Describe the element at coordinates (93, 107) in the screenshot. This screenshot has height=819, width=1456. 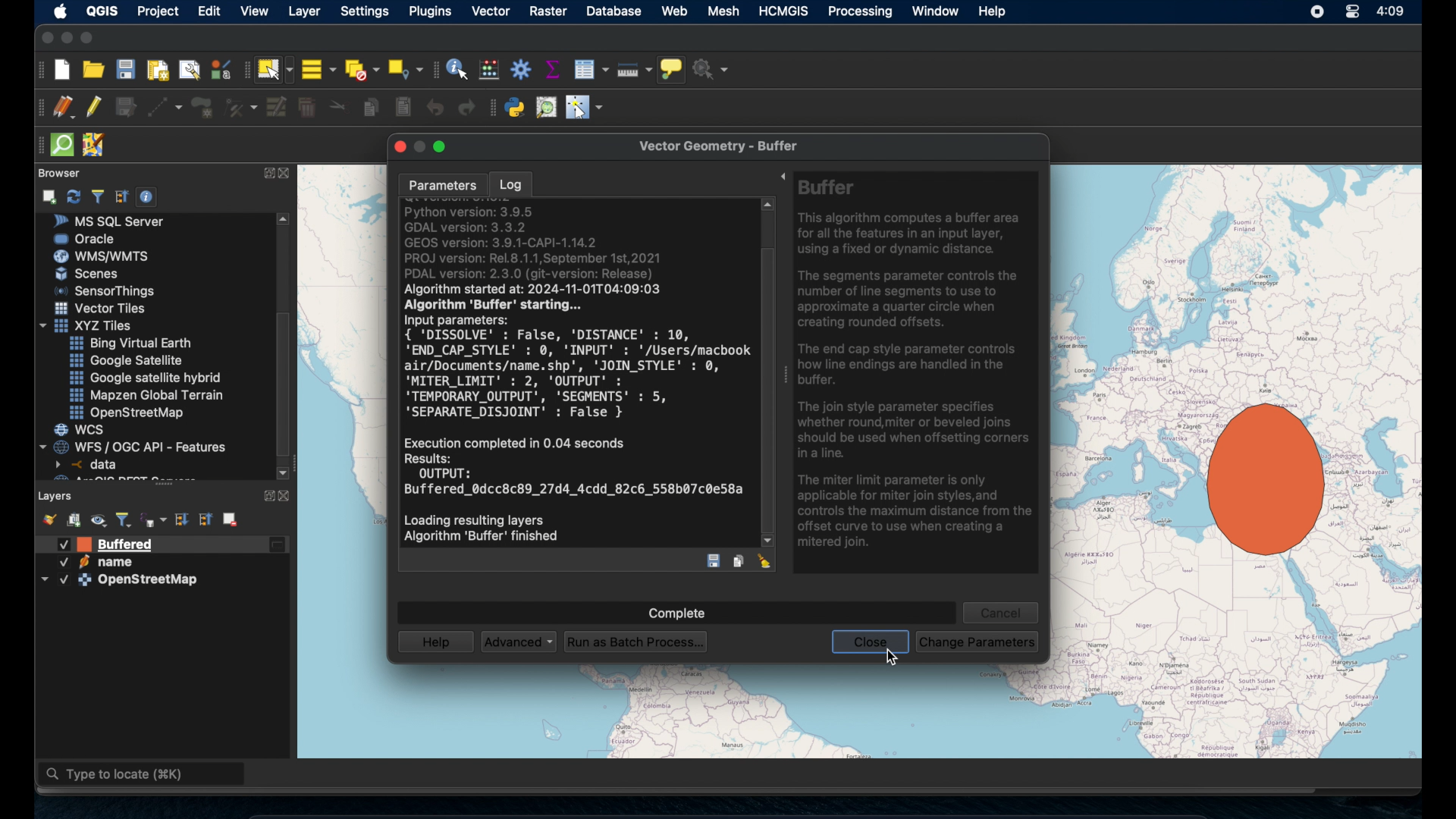
I see `toggle editing` at that location.